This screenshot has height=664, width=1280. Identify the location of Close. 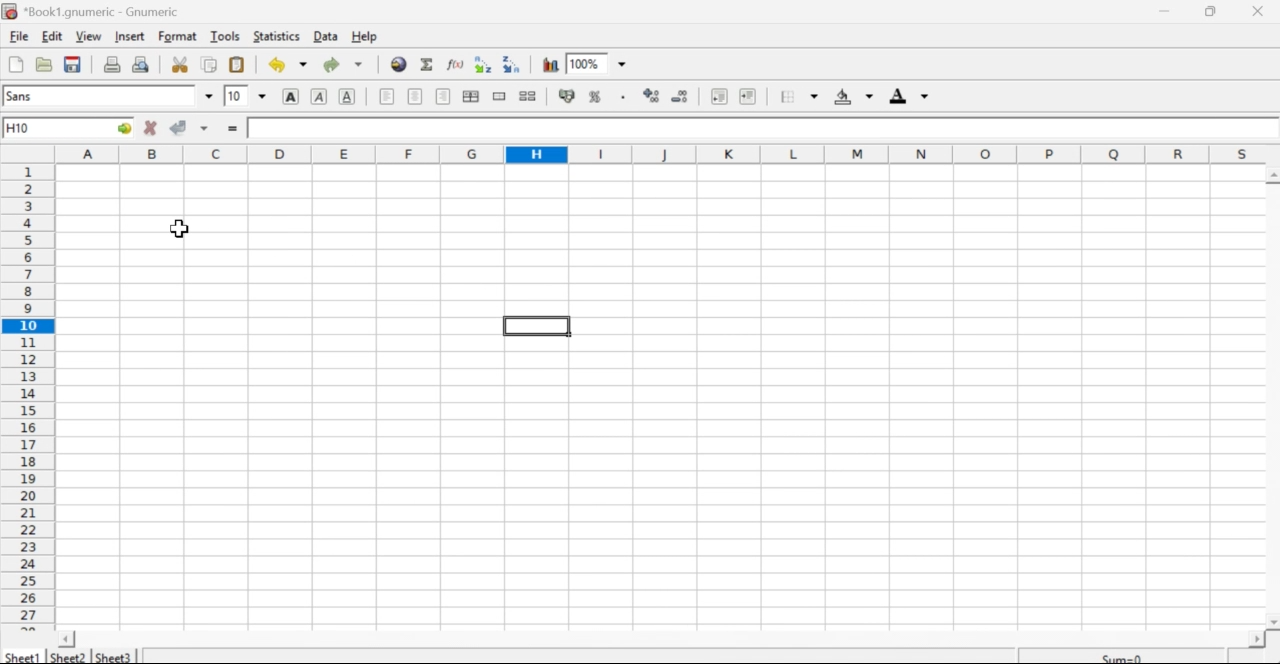
(1261, 12).